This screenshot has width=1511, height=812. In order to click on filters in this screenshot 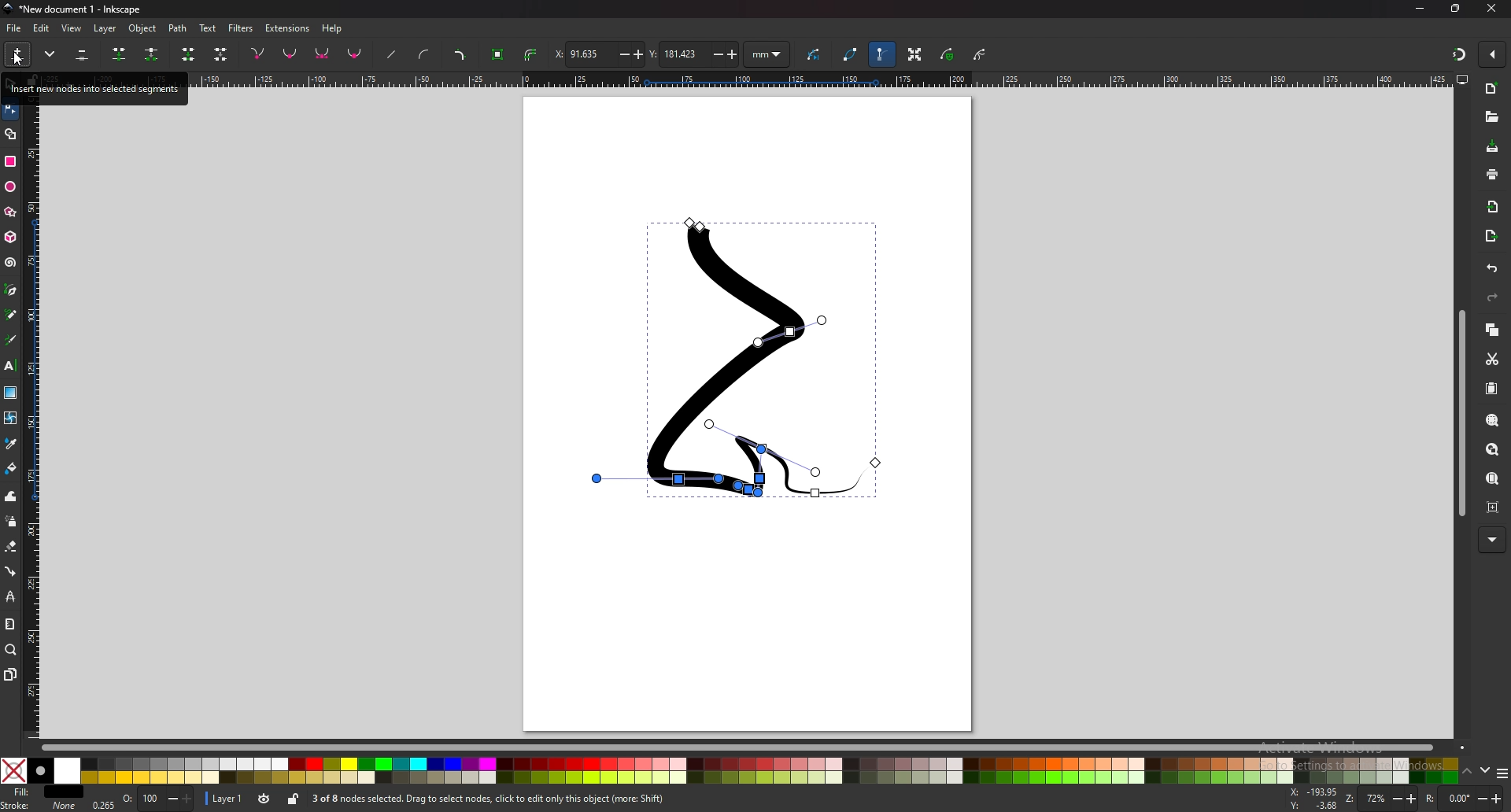, I will do `click(241, 28)`.